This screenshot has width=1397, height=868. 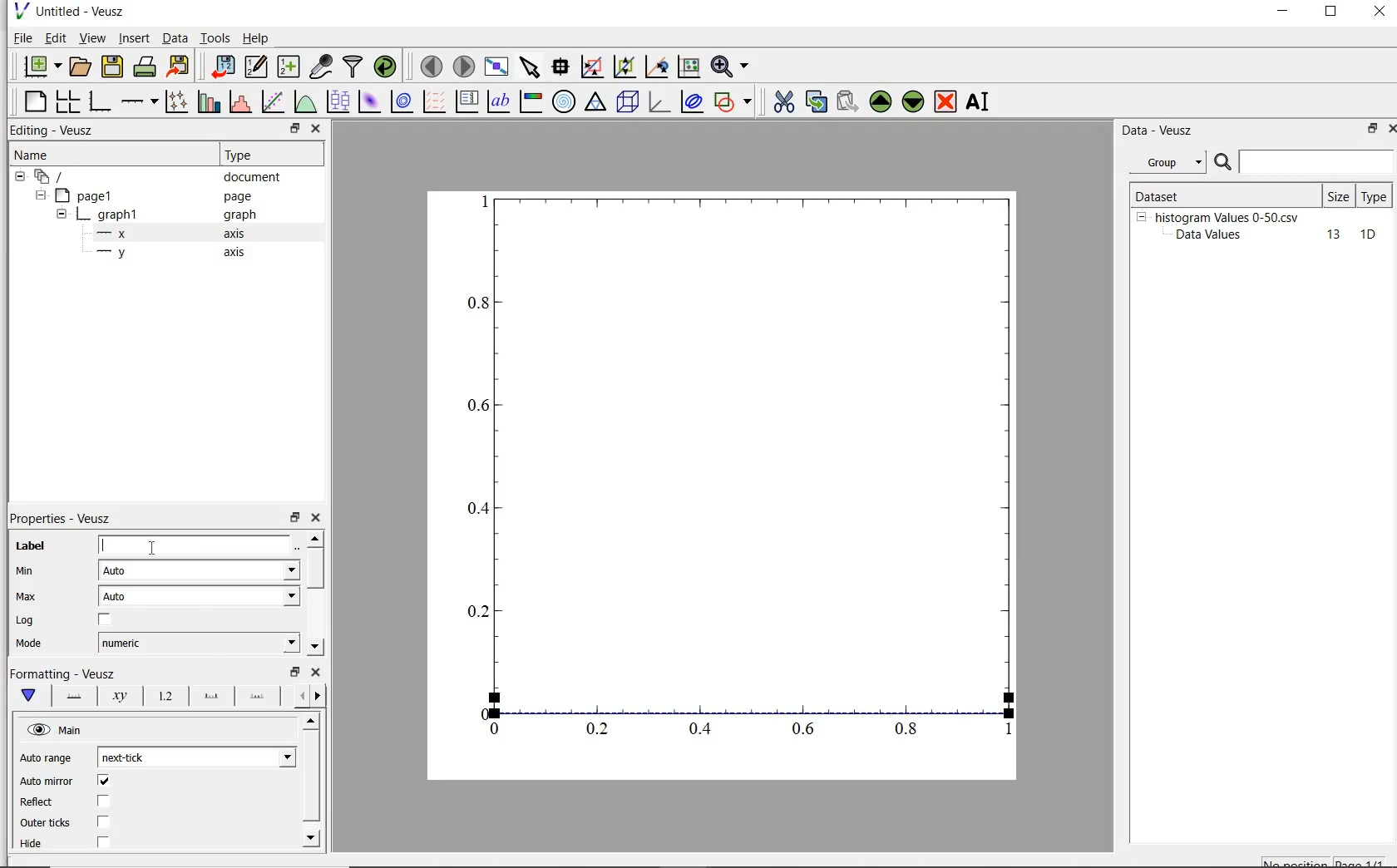 I want to click on image color bar, so click(x=532, y=101).